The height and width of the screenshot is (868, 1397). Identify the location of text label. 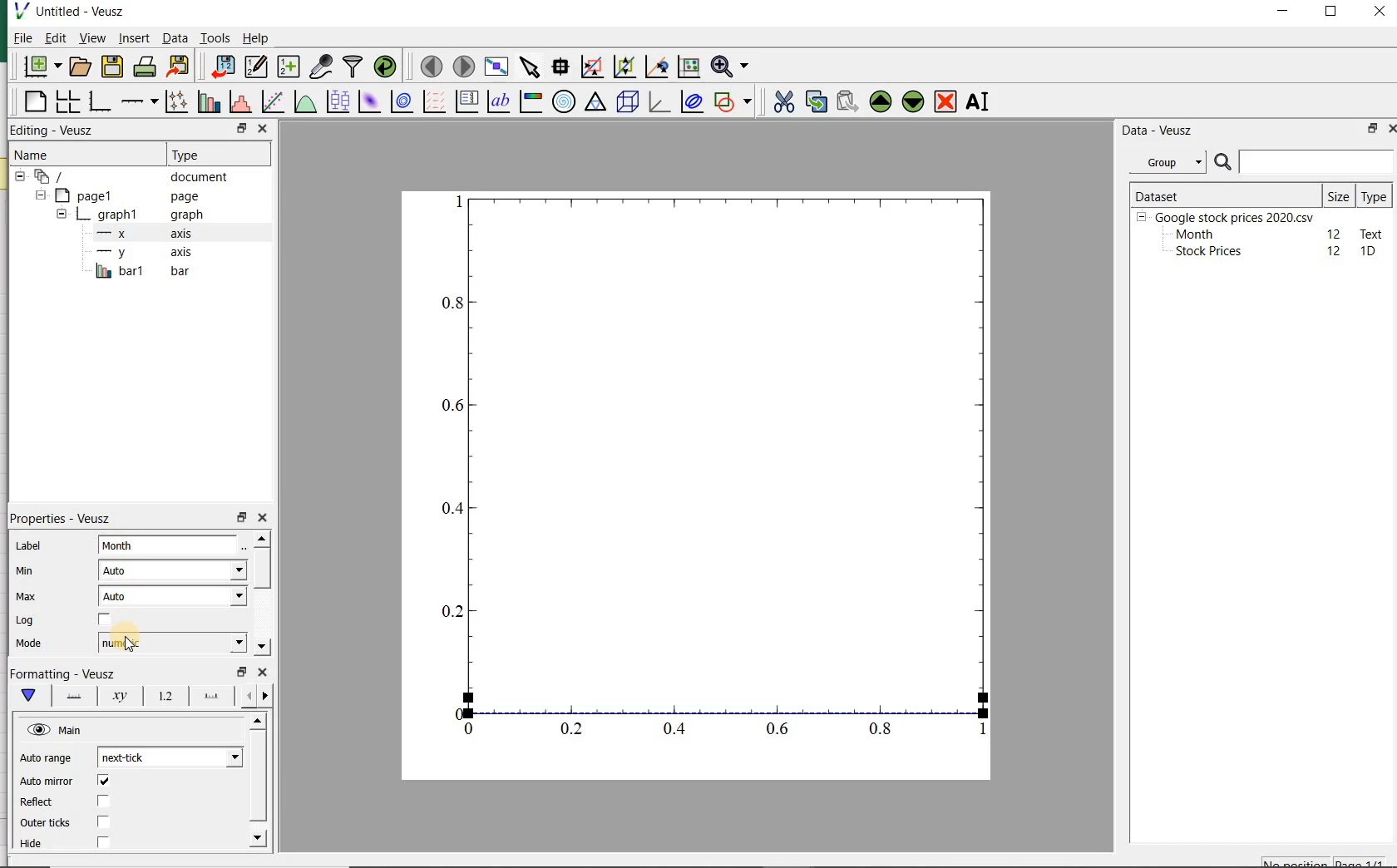
(498, 103).